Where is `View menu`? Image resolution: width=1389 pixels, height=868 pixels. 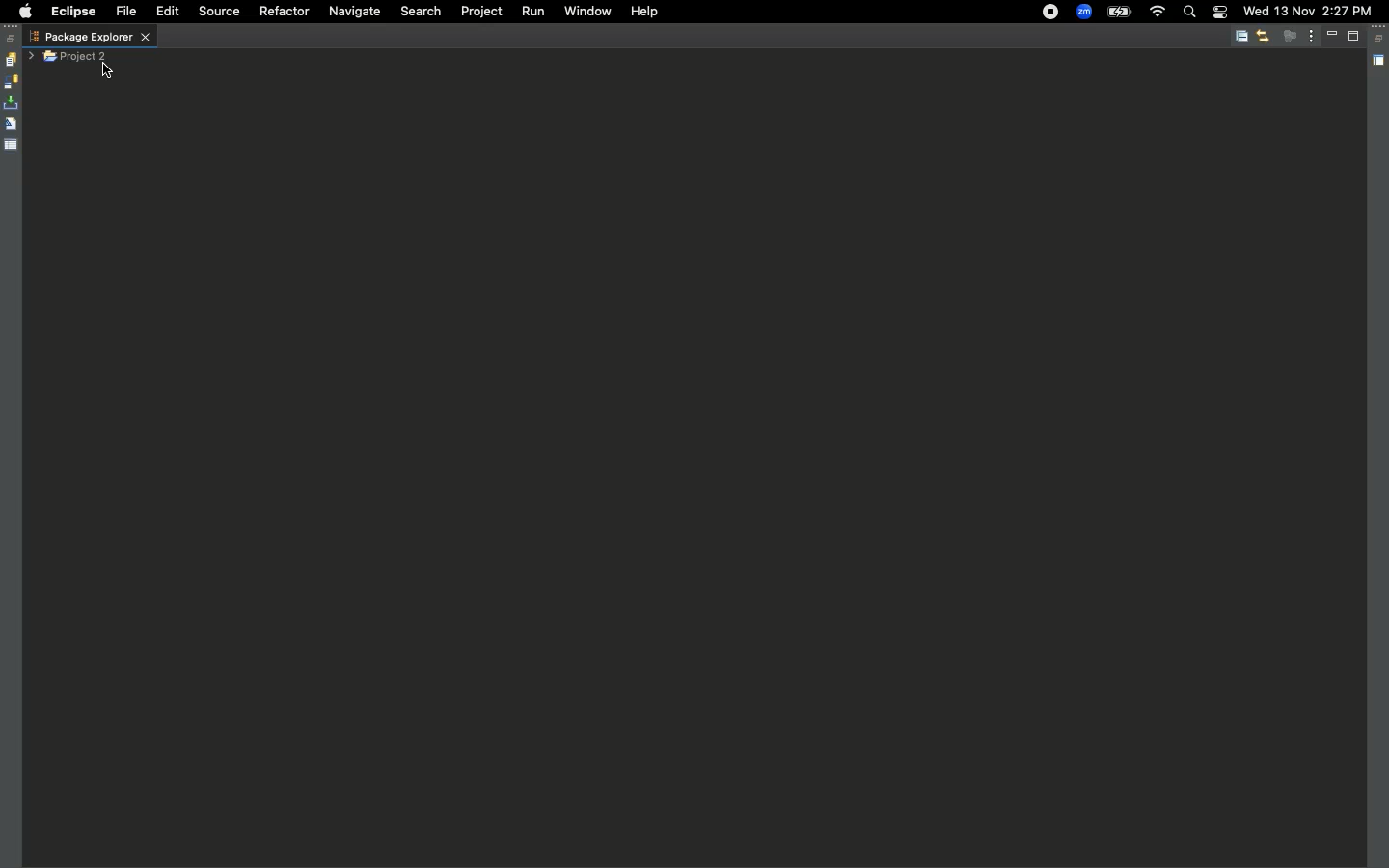
View menu is located at coordinates (1312, 35).